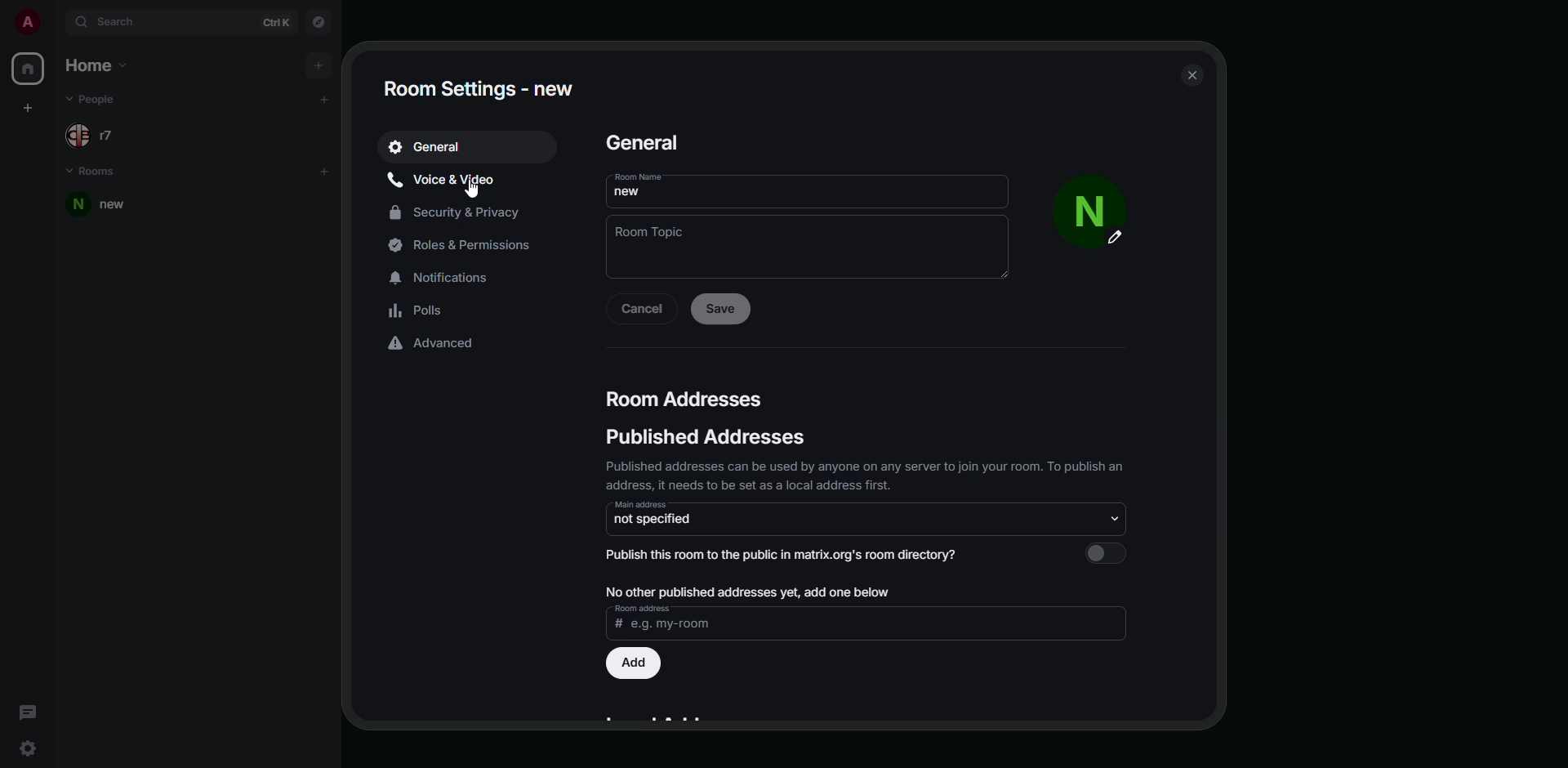  What do you see at coordinates (648, 185) in the screenshot?
I see `room name` at bounding box center [648, 185].